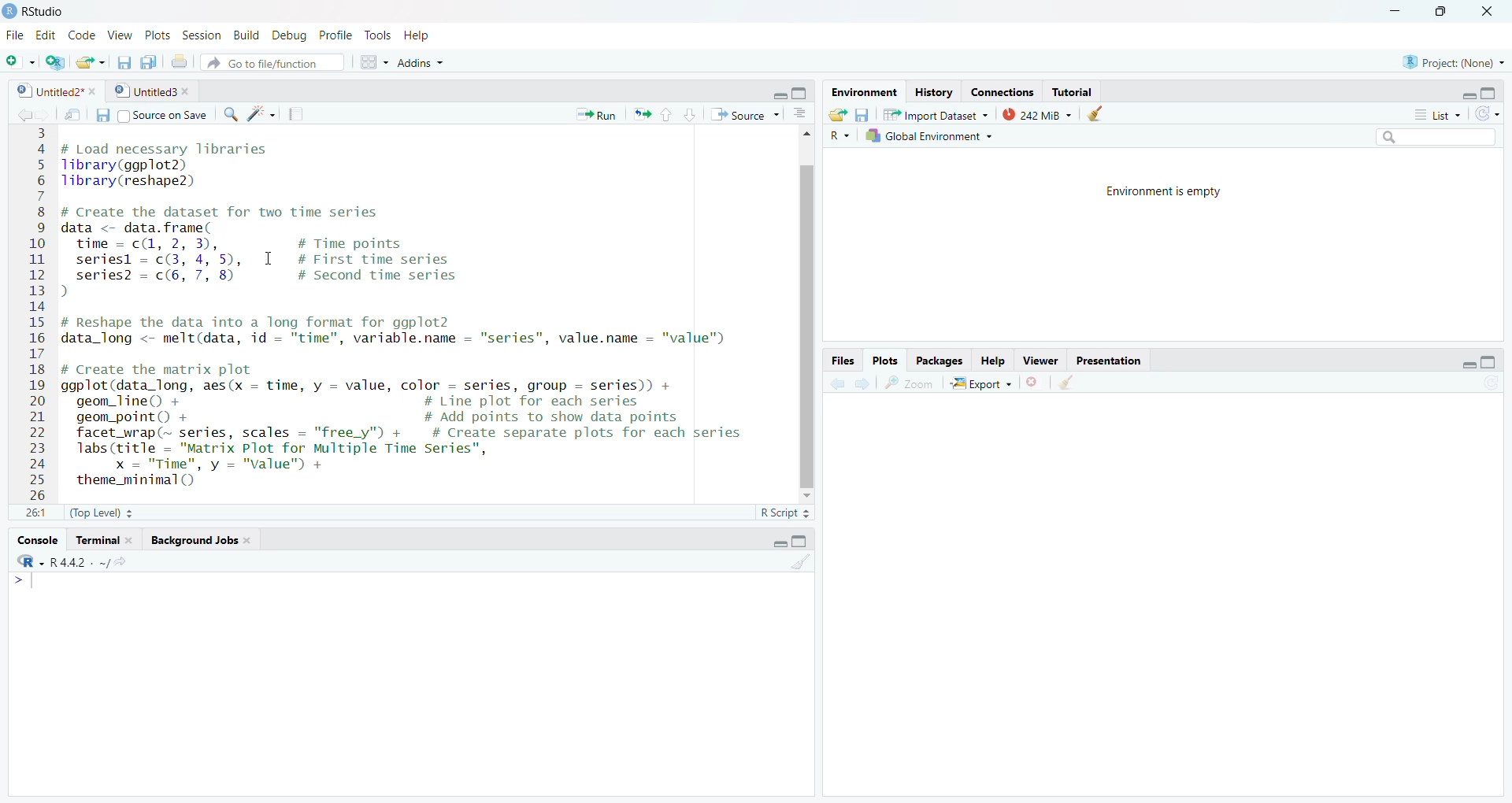 The height and width of the screenshot is (803, 1512). I want to click on RStudio, so click(49, 12).